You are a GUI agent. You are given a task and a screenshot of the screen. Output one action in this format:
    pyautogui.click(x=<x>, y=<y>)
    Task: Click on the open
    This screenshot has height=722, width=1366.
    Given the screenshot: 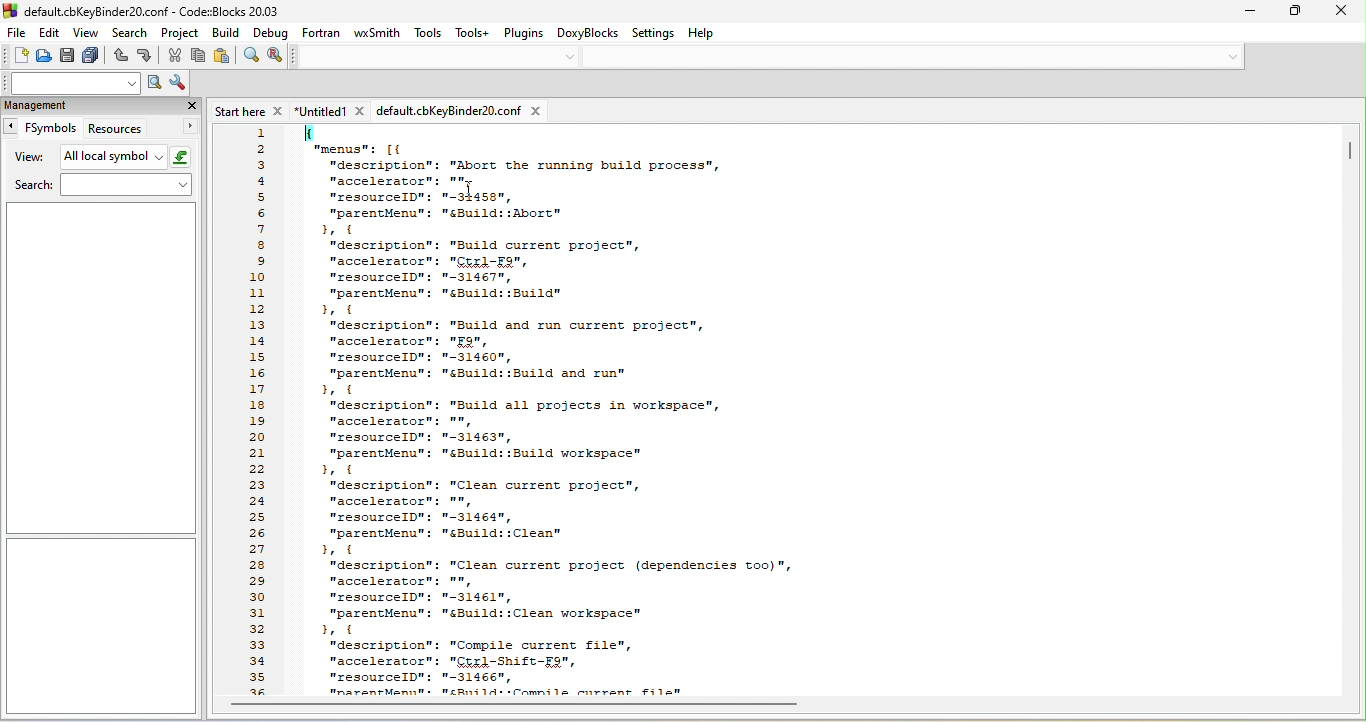 What is the action you would take?
    pyautogui.click(x=45, y=54)
    